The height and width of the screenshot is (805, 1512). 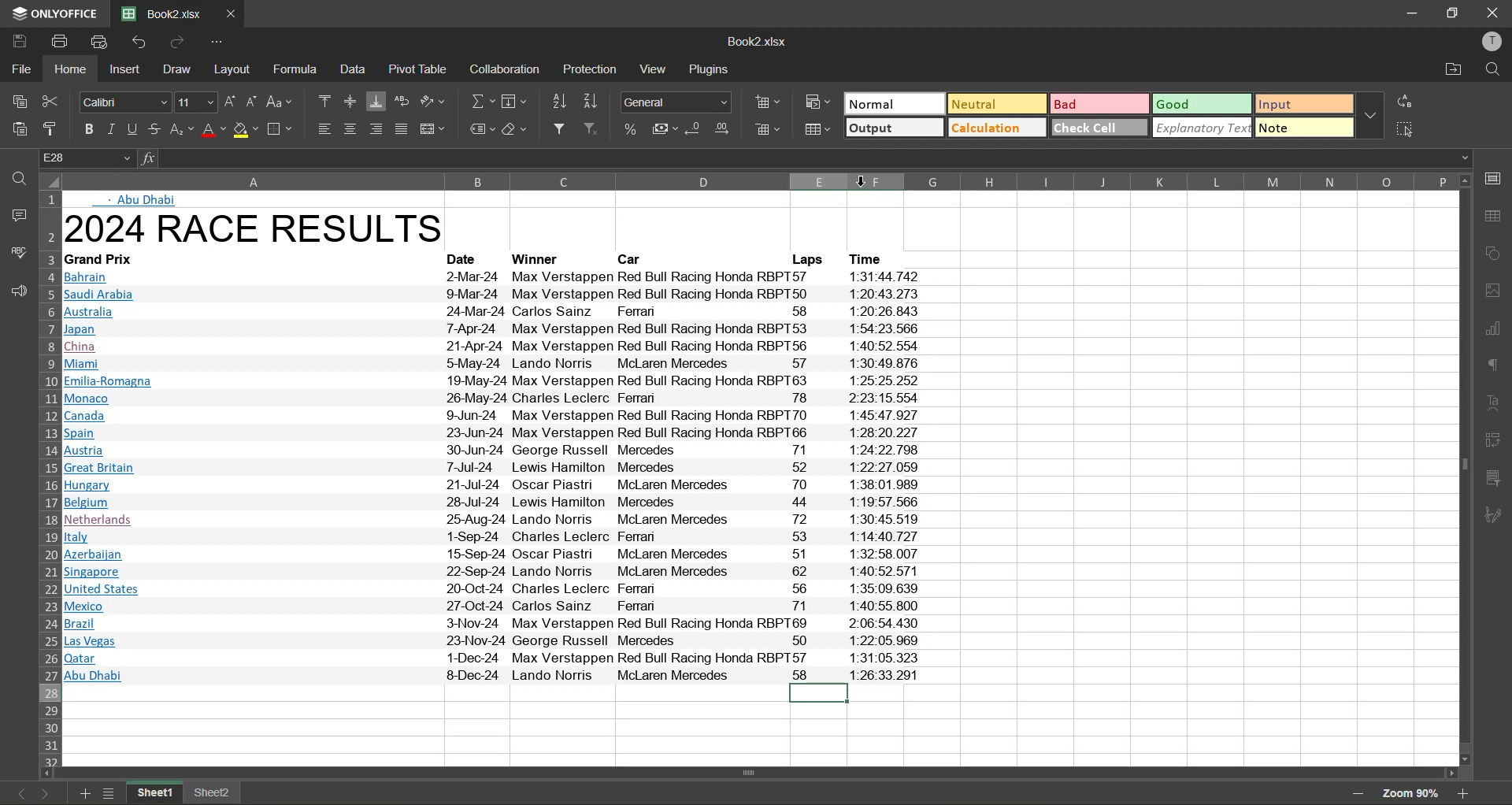 I want to click on explanatory text, so click(x=1204, y=128).